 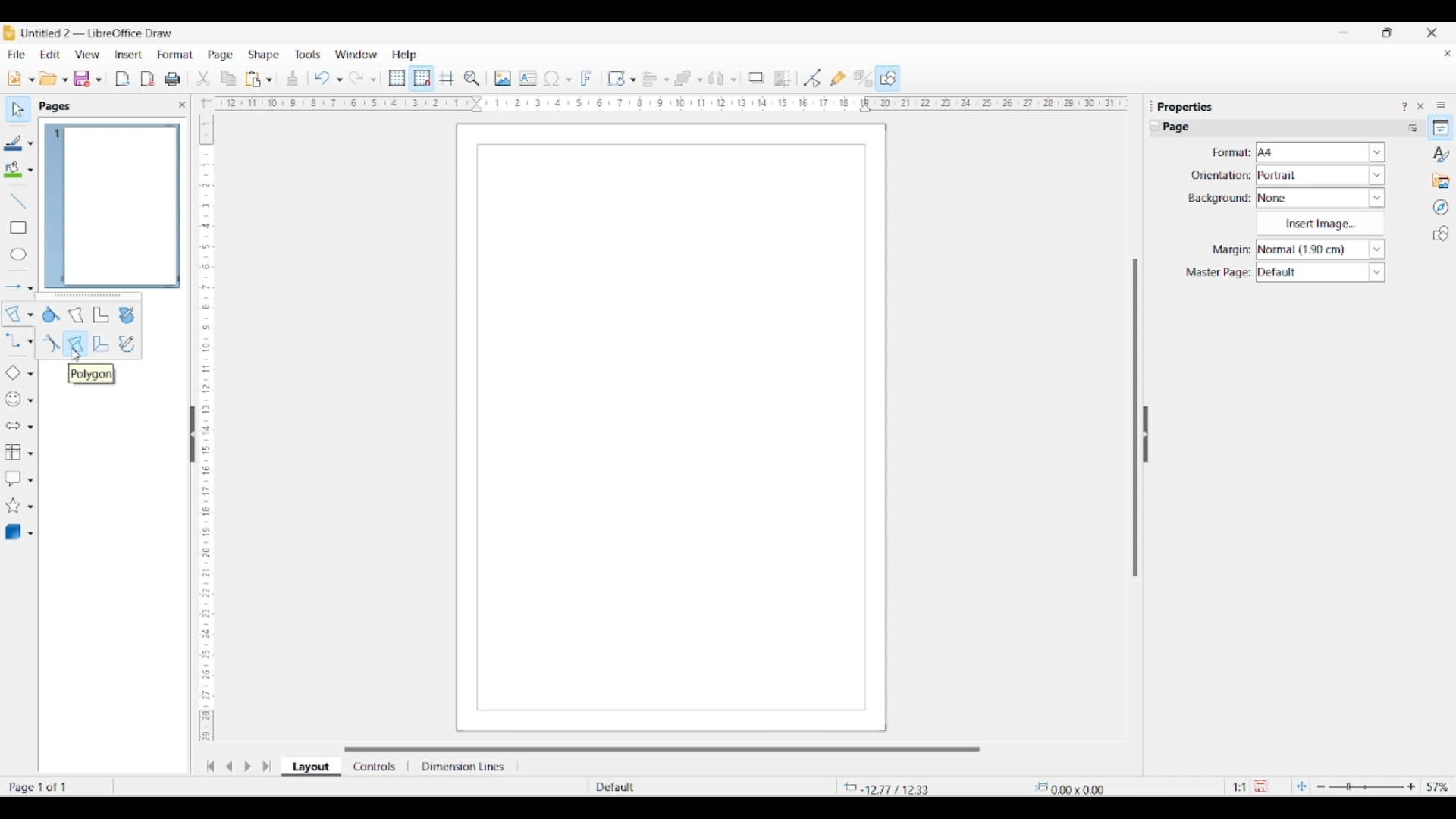 I want to click on View options, so click(x=86, y=55).